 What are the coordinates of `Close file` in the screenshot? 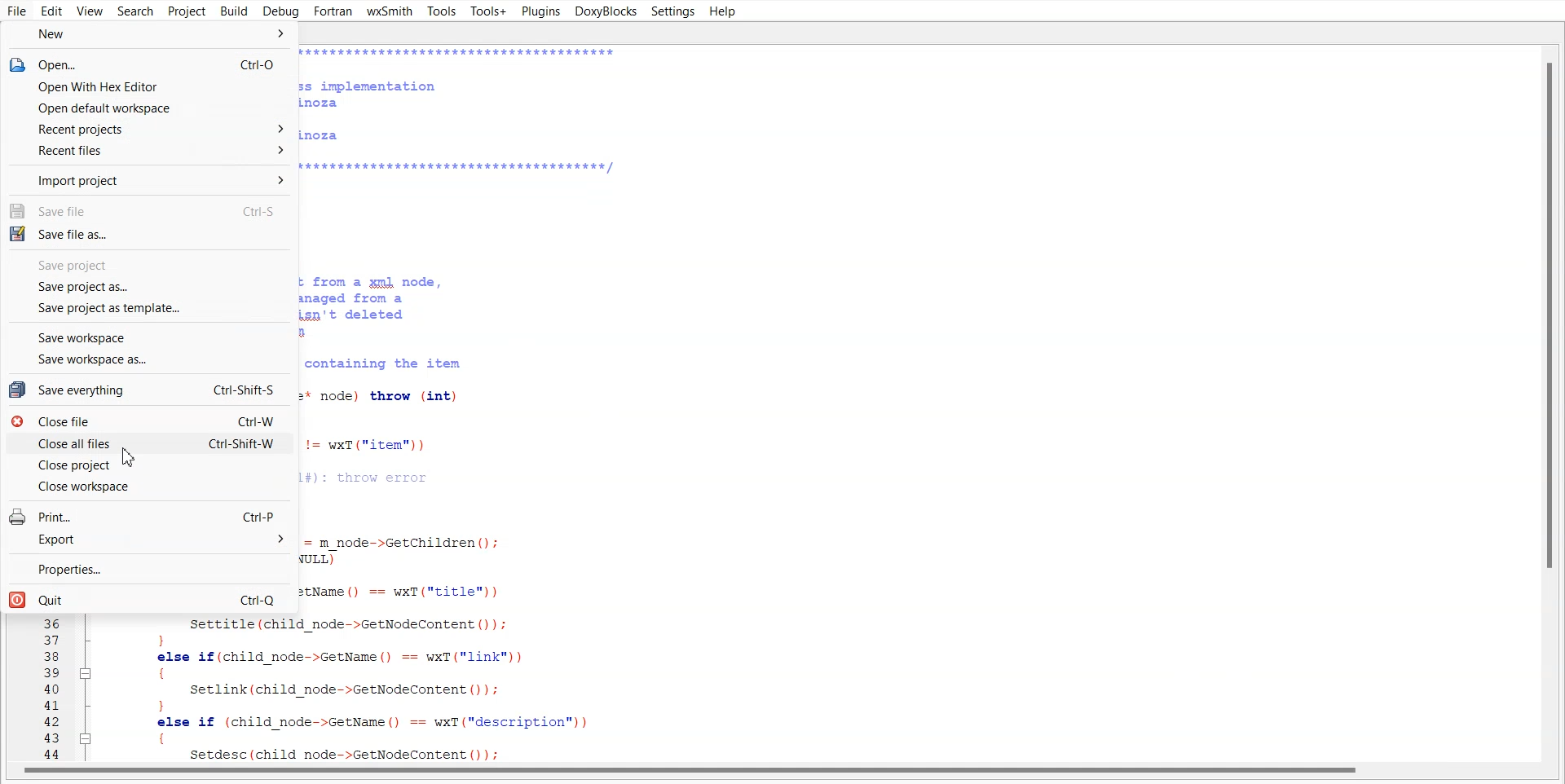 It's located at (150, 421).